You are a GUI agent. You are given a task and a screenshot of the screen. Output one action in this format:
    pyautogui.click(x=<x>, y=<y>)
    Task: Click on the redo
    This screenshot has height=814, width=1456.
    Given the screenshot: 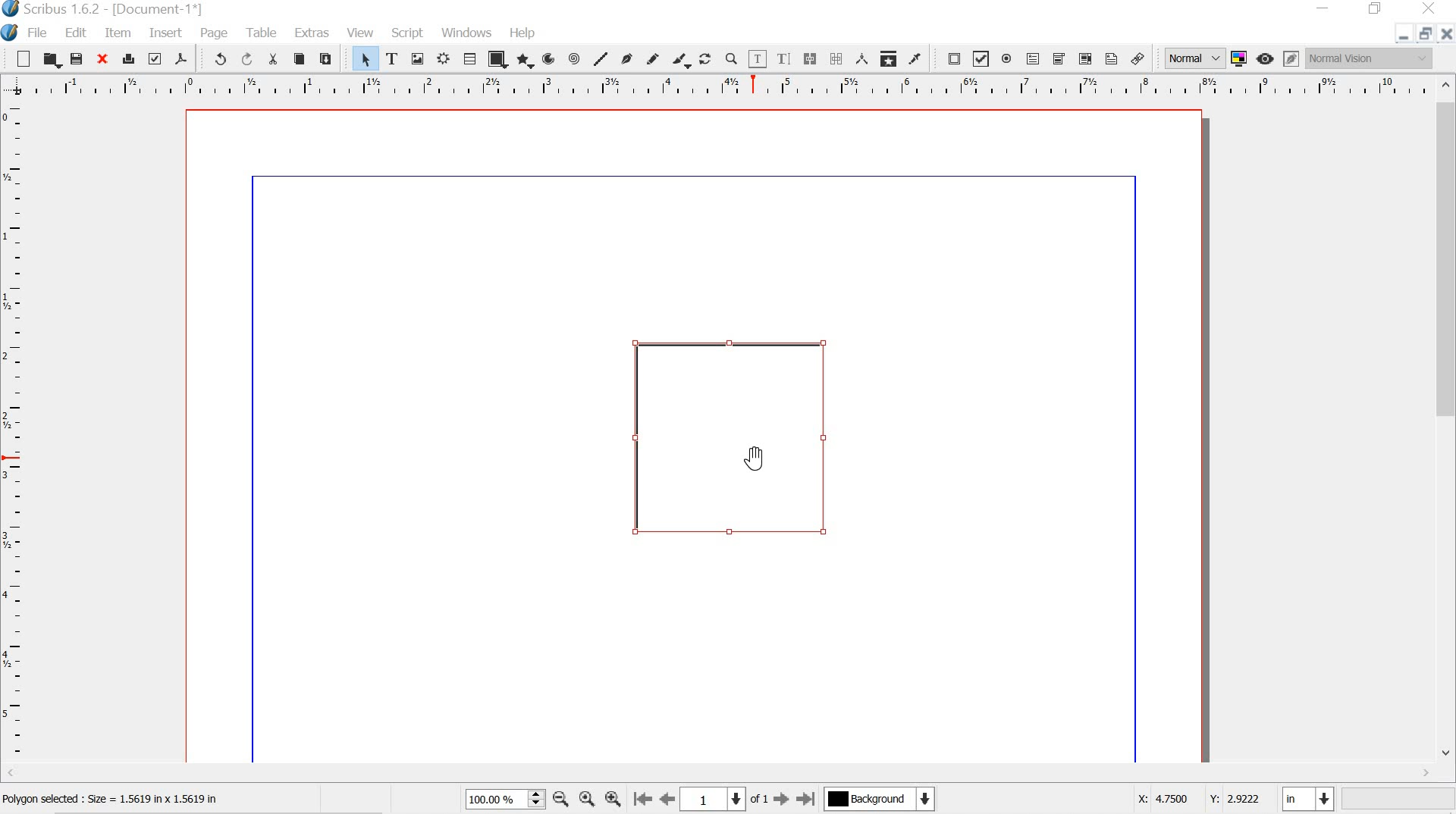 What is the action you would take?
    pyautogui.click(x=249, y=59)
    